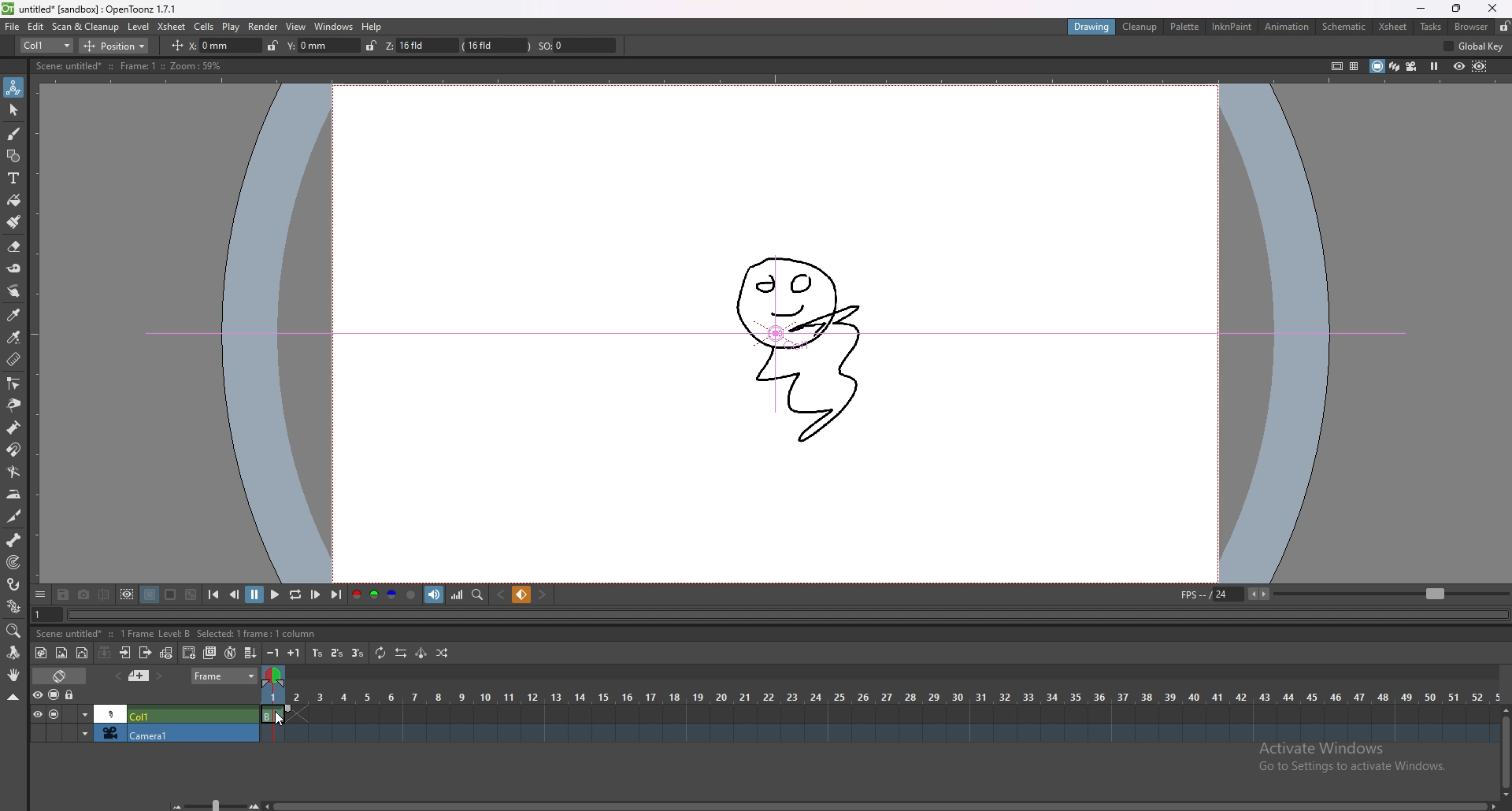  Describe the element at coordinates (334, 27) in the screenshot. I see `windows` at that location.